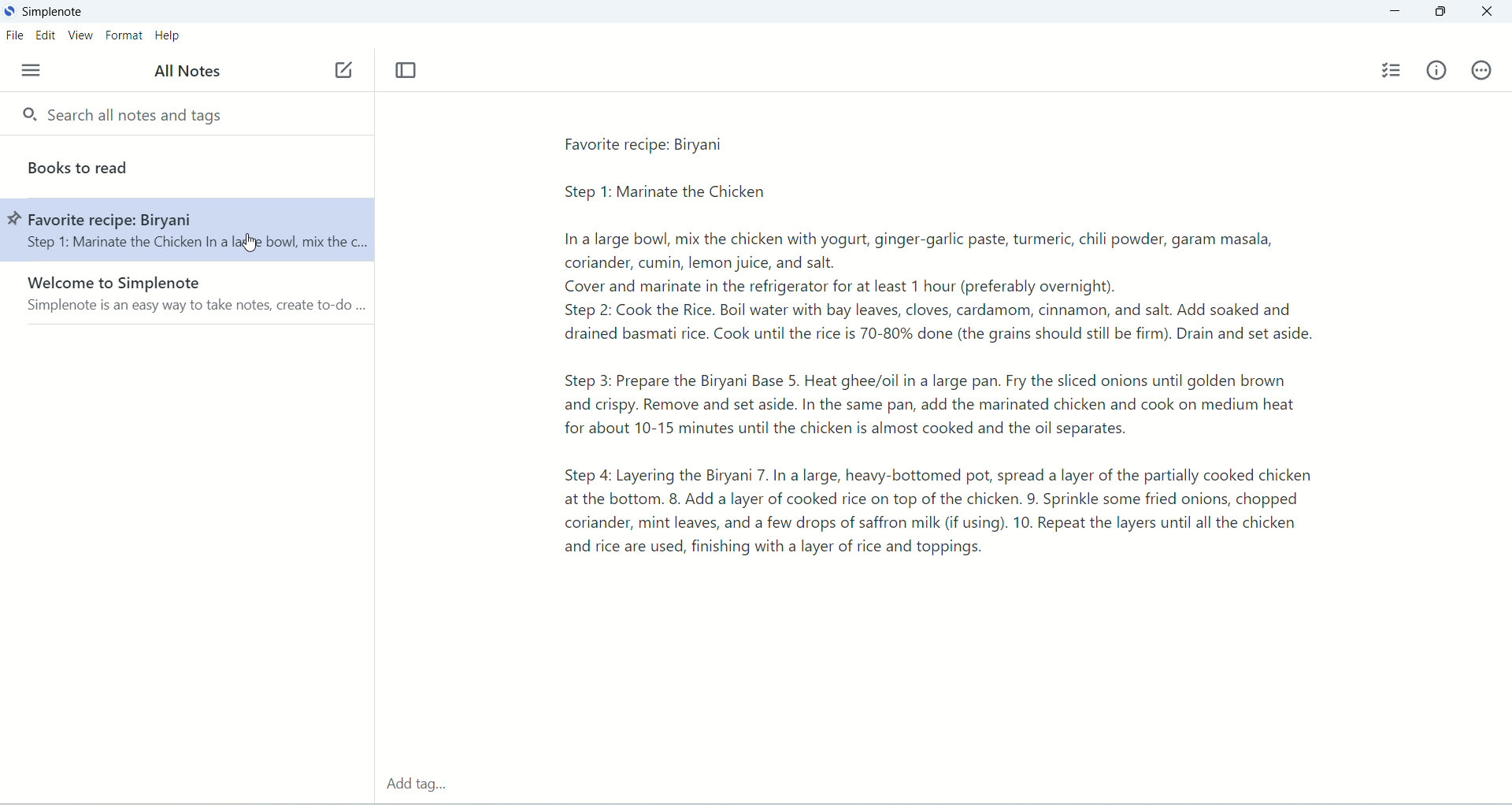 Image resolution: width=1512 pixels, height=805 pixels. Describe the element at coordinates (407, 70) in the screenshot. I see `toggle focus mode` at that location.